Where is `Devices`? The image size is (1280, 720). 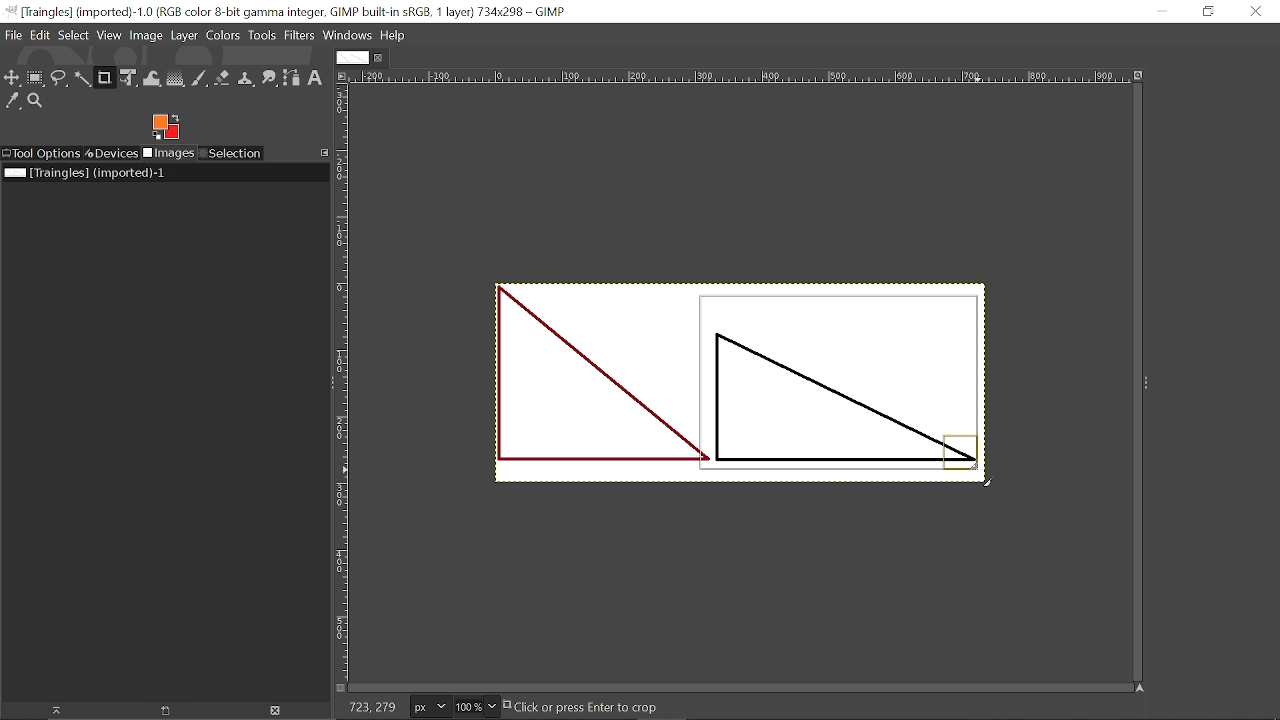 Devices is located at coordinates (112, 153).